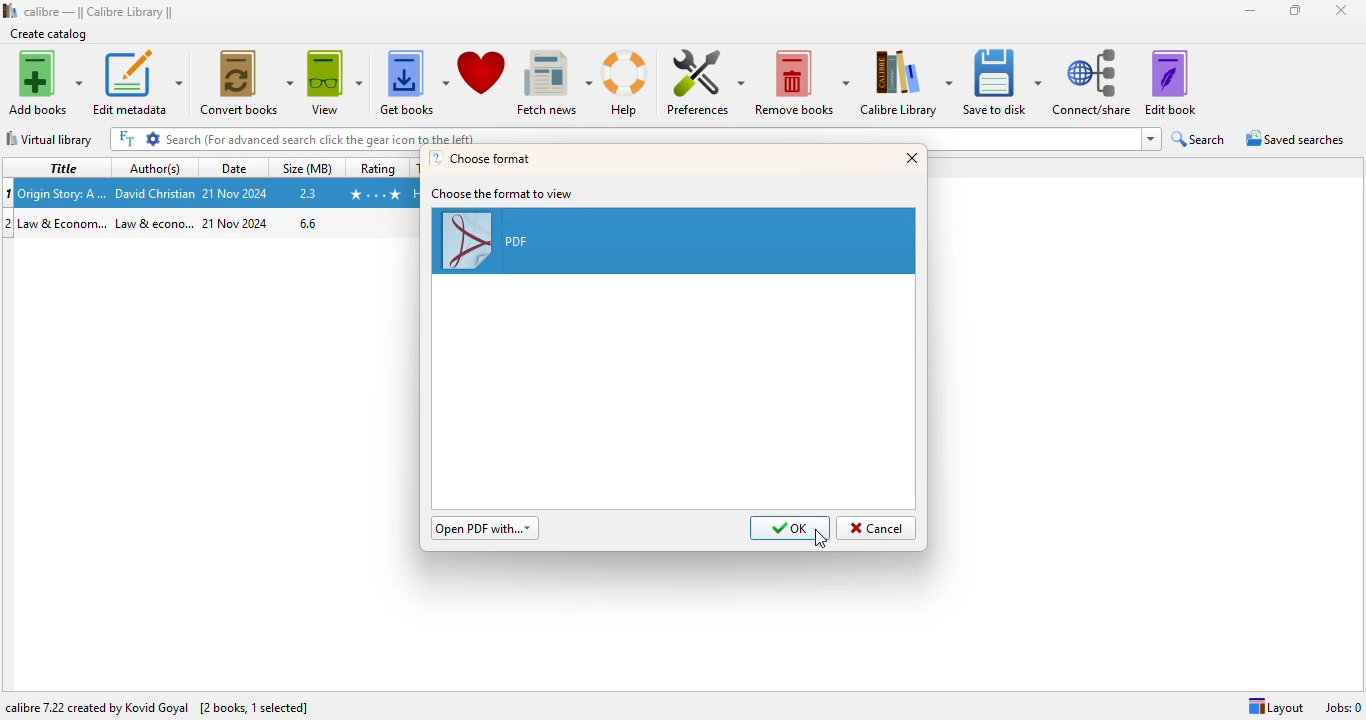  Describe the element at coordinates (1170, 83) in the screenshot. I see `edit book` at that location.